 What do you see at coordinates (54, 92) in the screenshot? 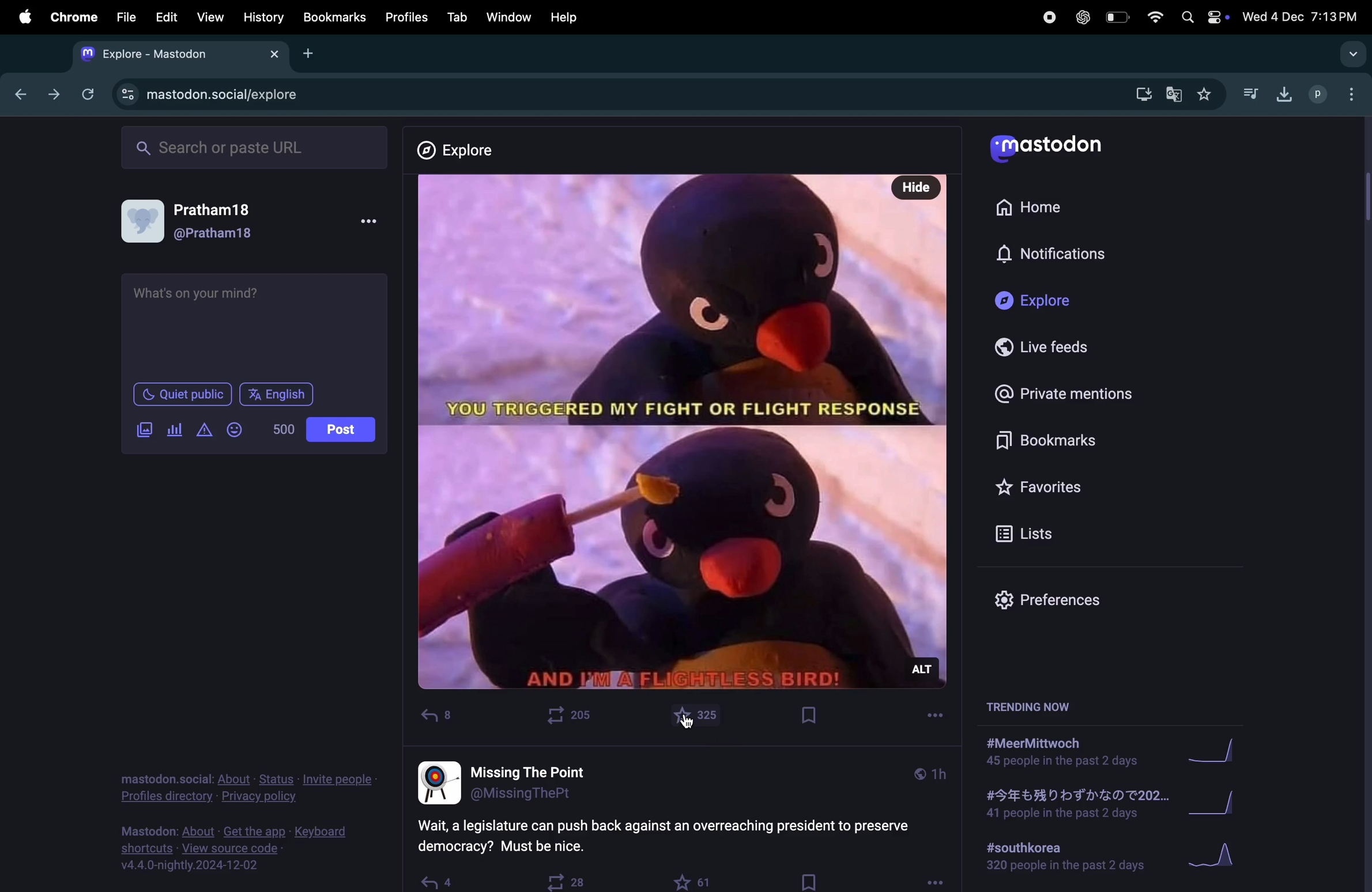
I see `forward` at bounding box center [54, 92].